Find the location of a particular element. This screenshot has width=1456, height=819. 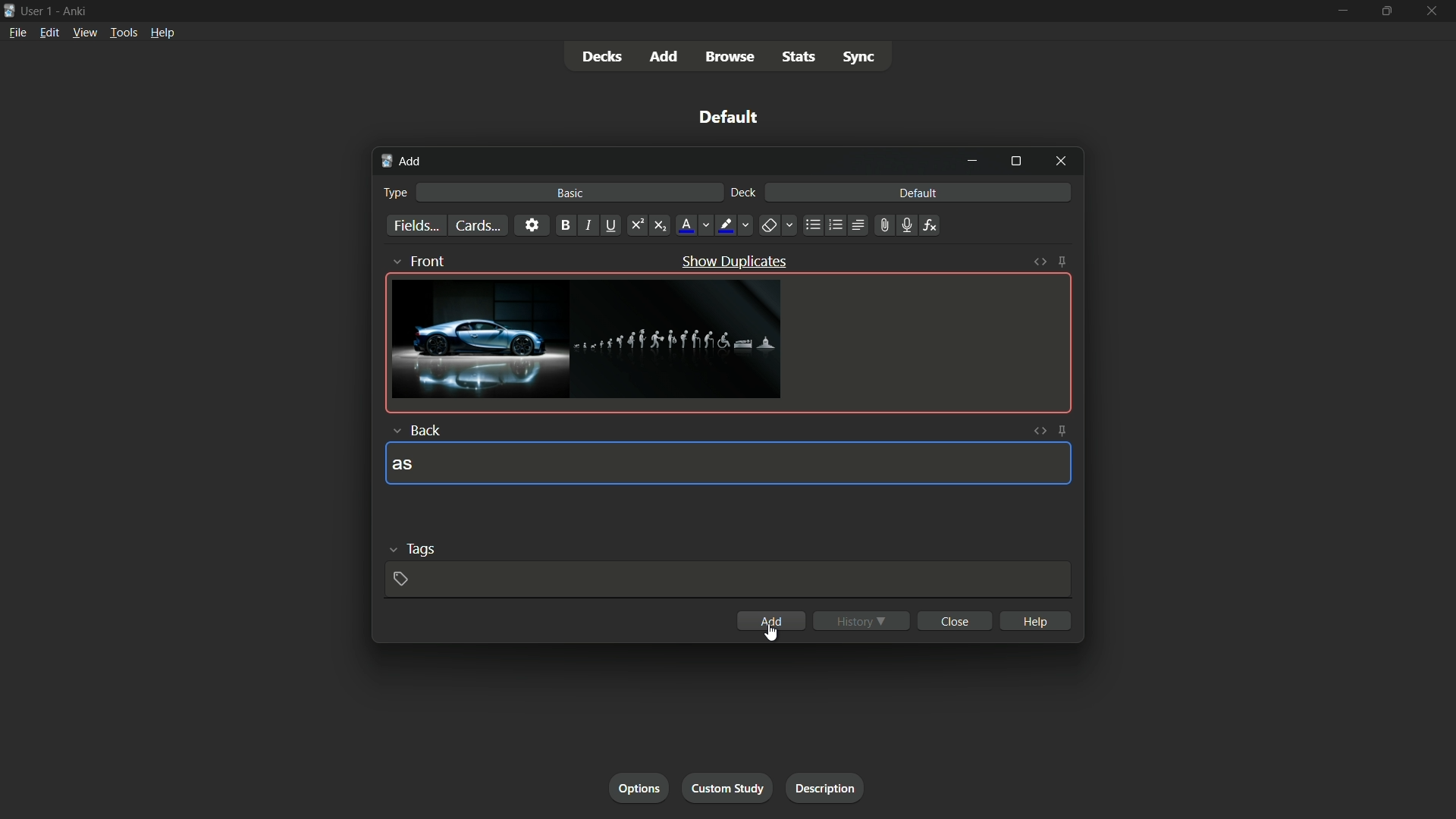

alignment is located at coordinates (860, 225).